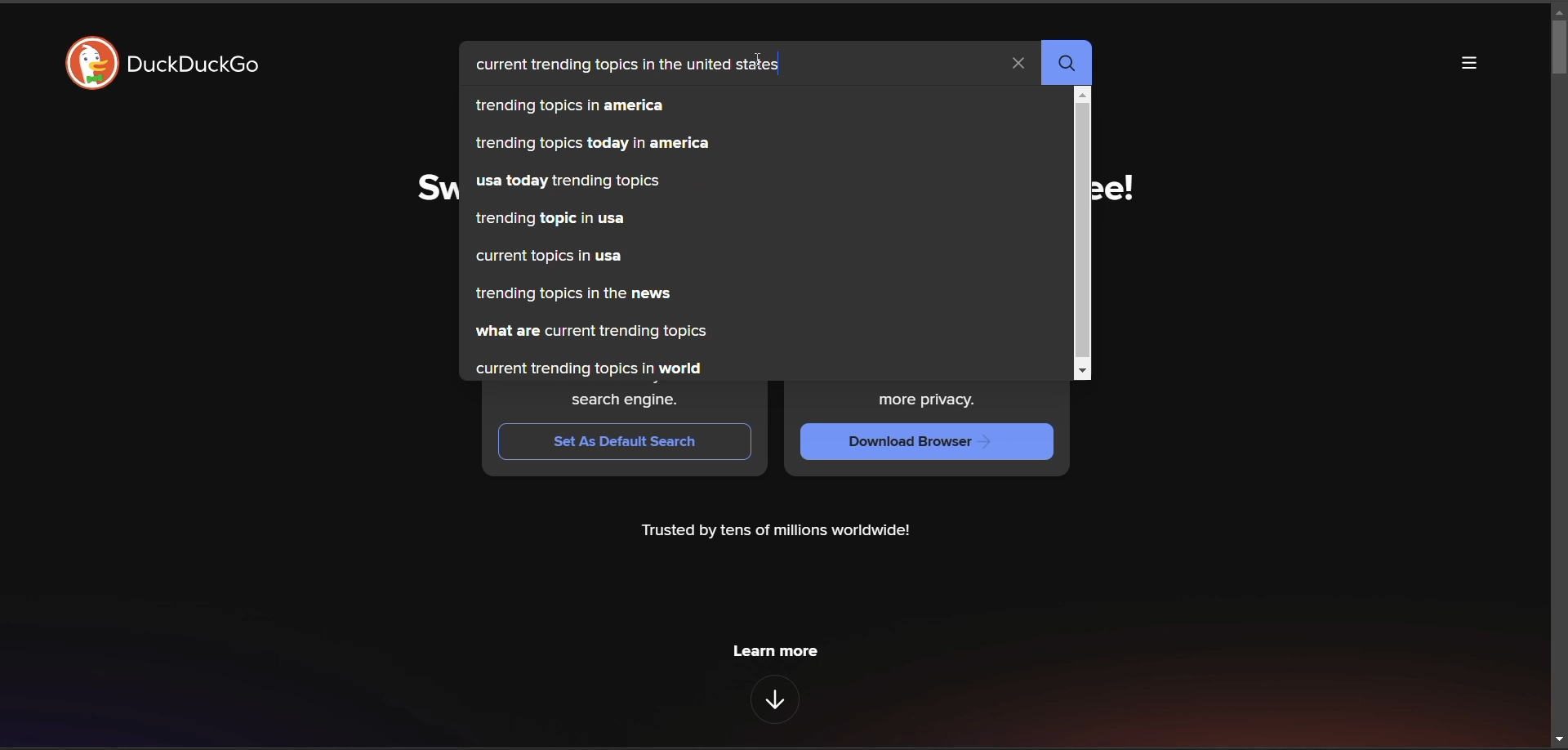 The image size is (1568, 750). Describe the element at coordinates (593, 143) in the screenshot. I see `trending topics today in america` at that location.